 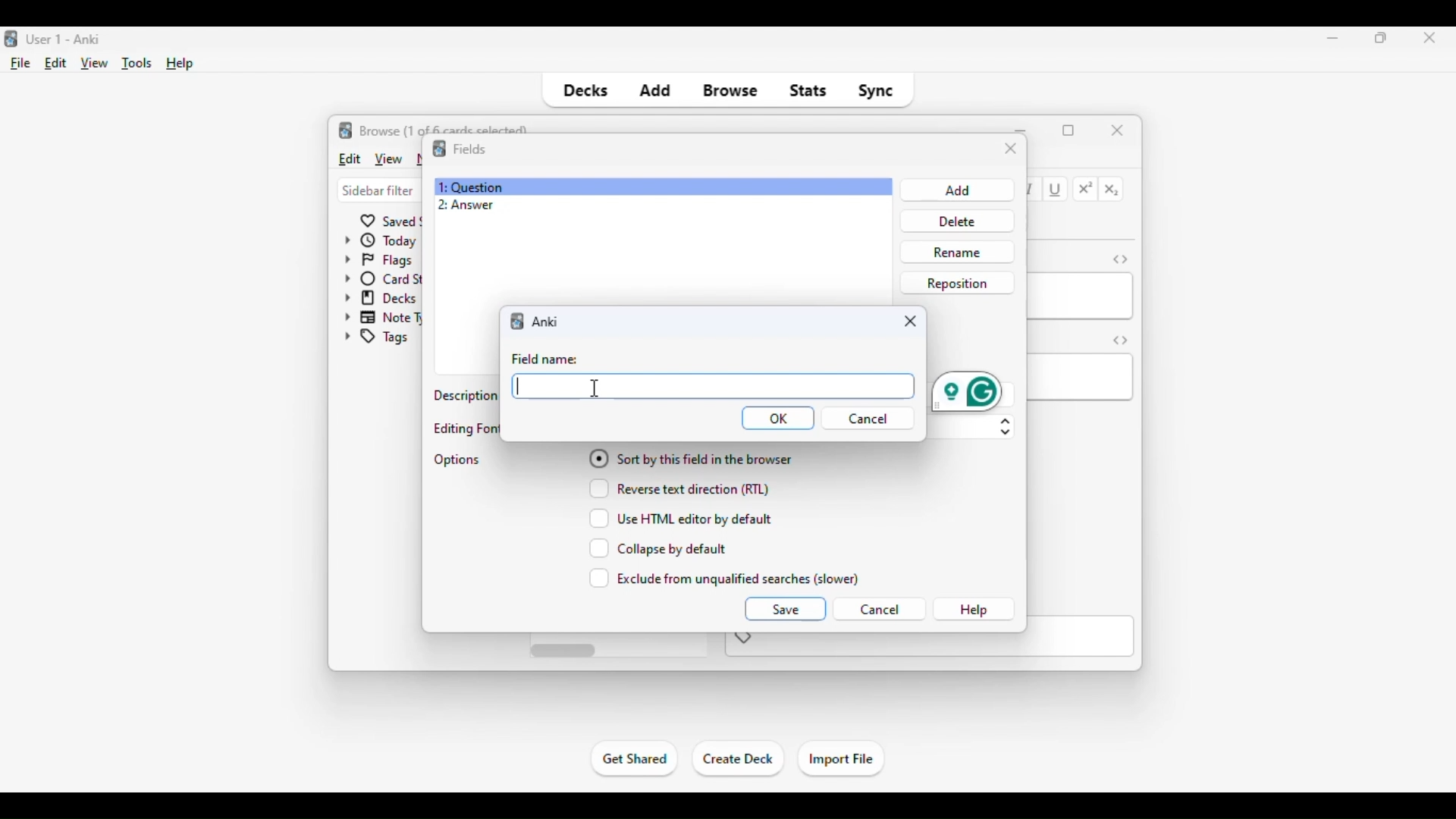 What do you see at coordinates (545, 358) in the screenshot?
I see `field name` at bounding box center [545, 358].